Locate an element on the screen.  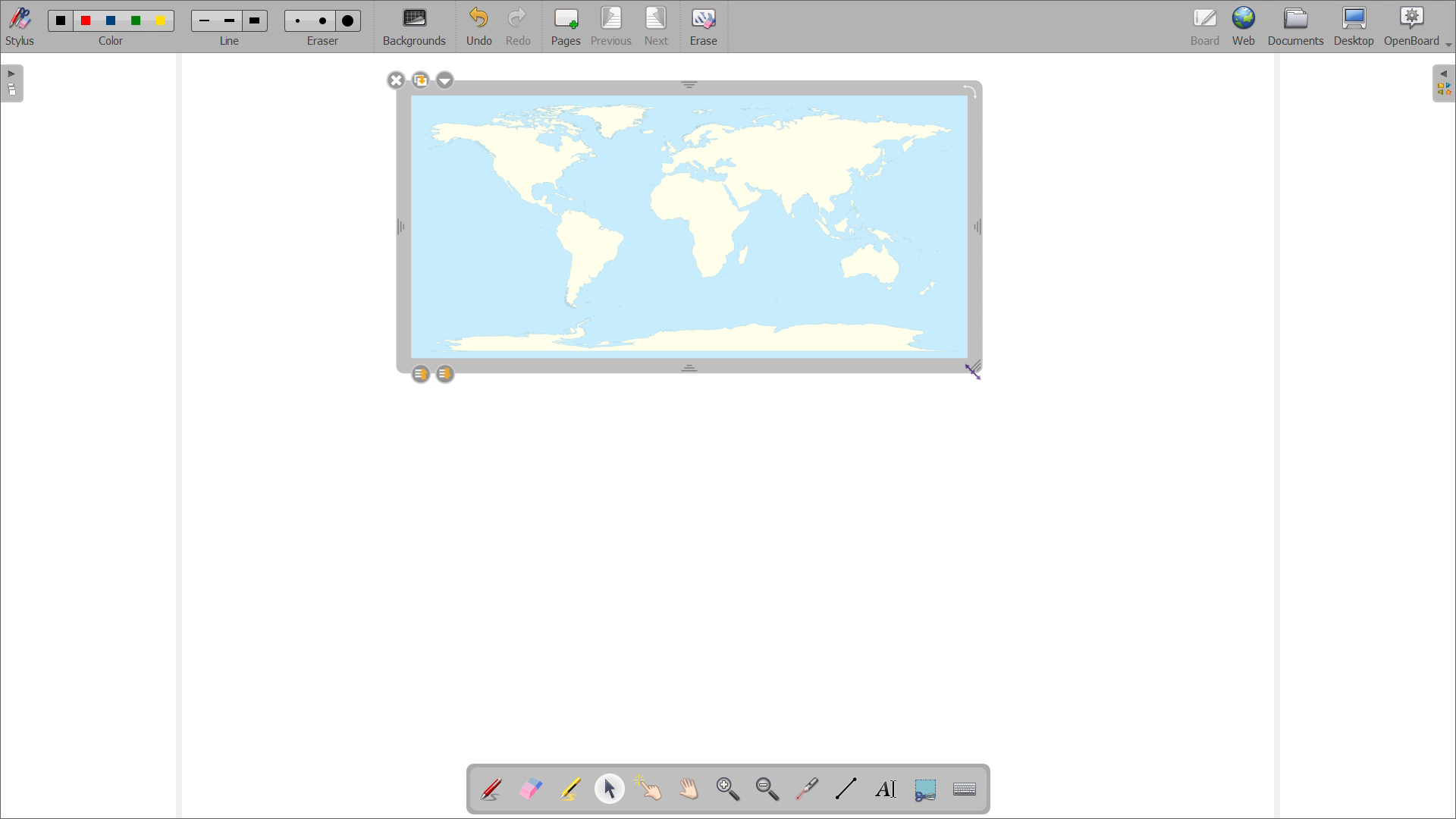
add annotations is located at coordinates (492, 789).